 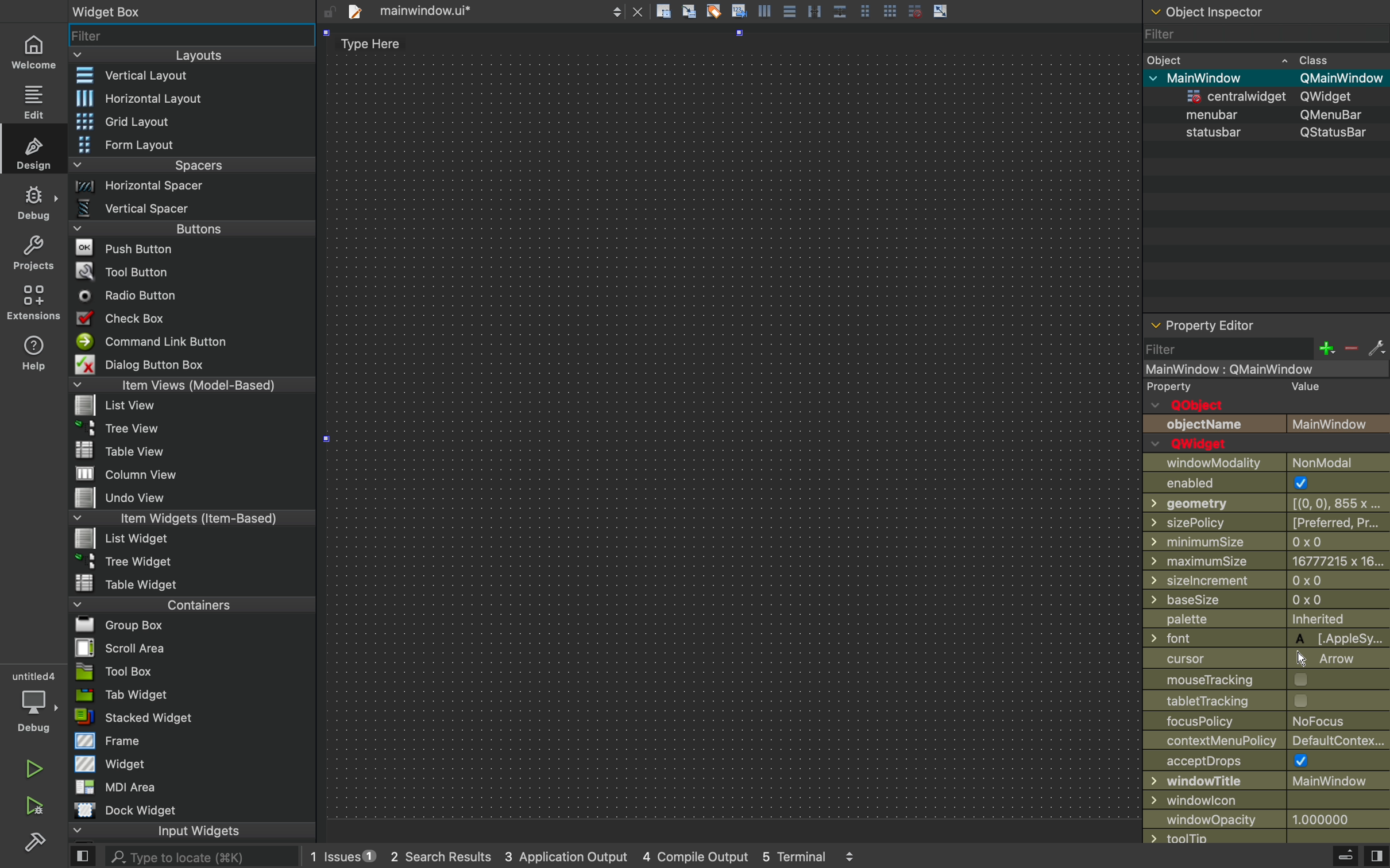 What do you see at coordinates (192, 538) in the screenshot?
I see `list widget` at bounding box center [192, 538].